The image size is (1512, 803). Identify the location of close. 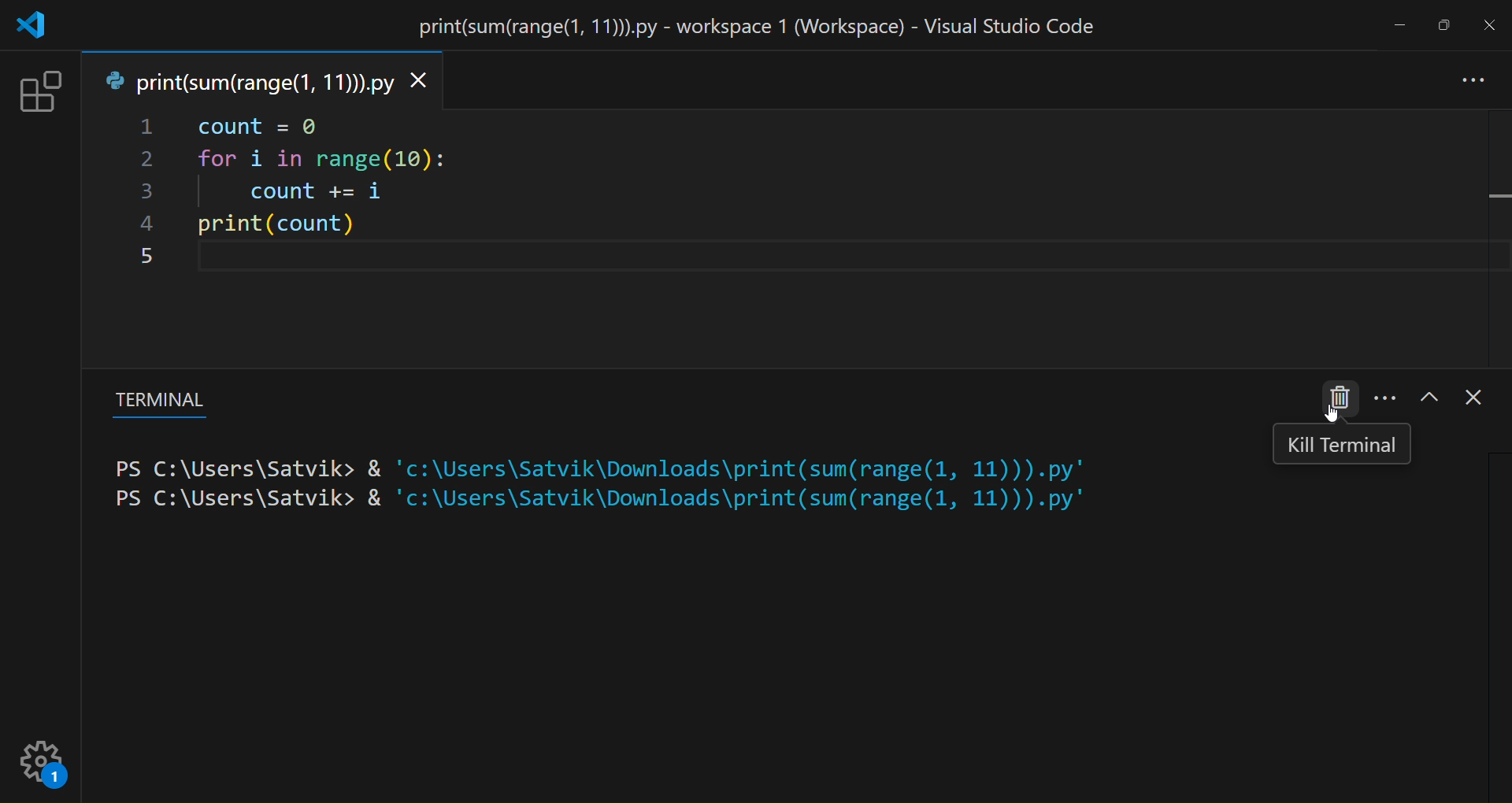
(1491, 25).